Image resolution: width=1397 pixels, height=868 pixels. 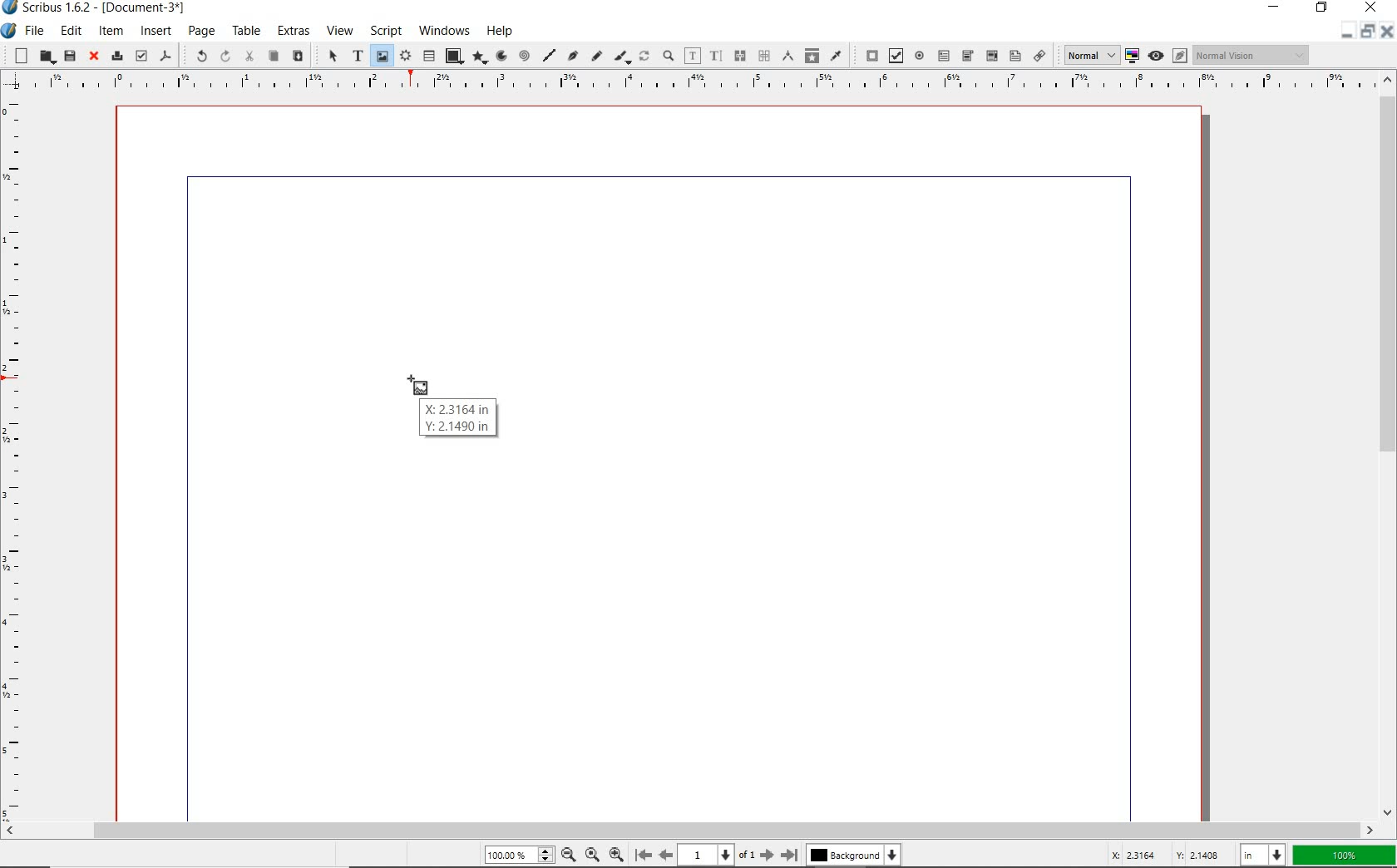 I want to click on zoom in, so click(x=617, y=856).